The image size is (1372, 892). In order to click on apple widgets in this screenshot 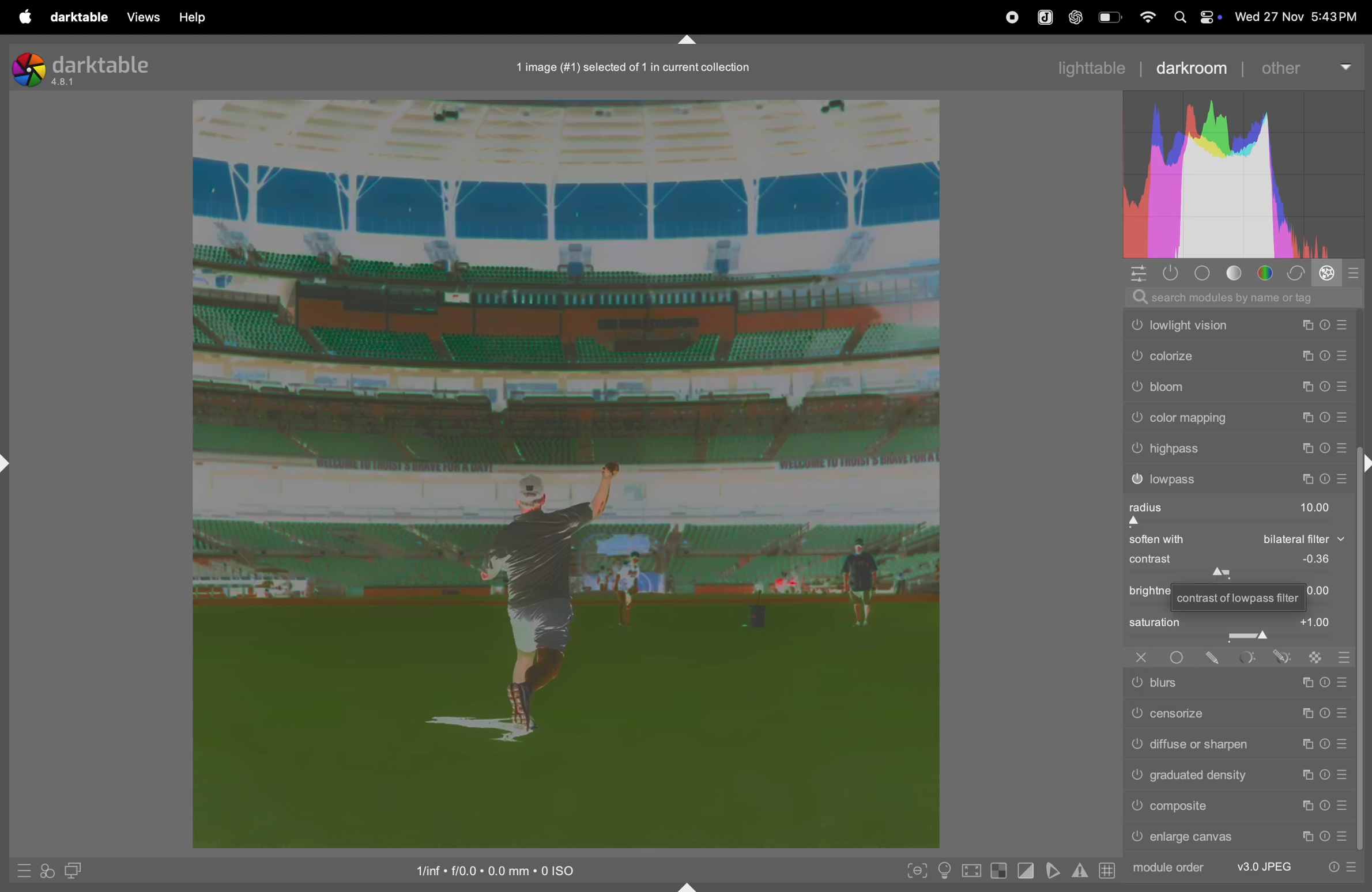, I will do `click(1208, 17)`.